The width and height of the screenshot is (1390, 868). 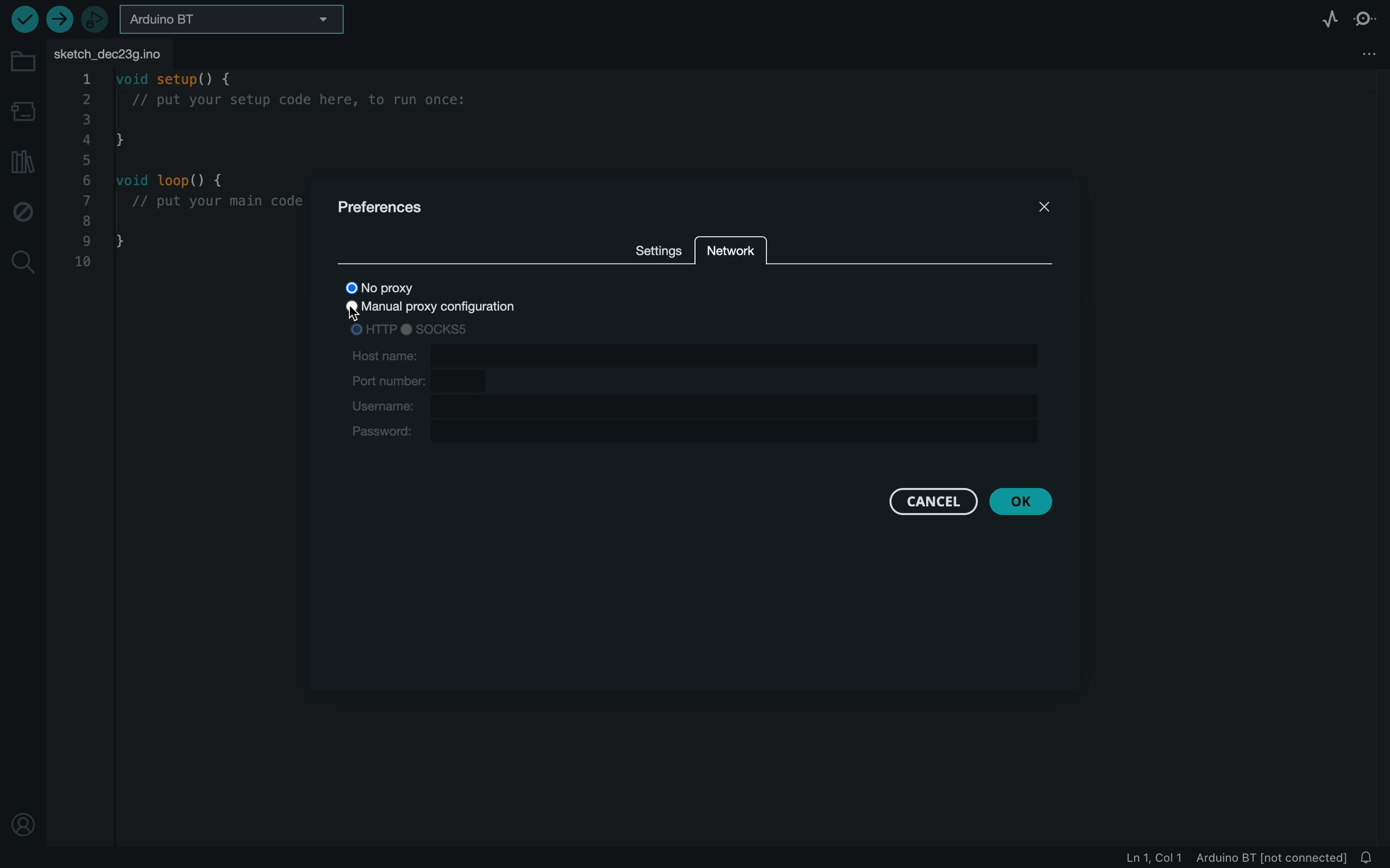 I want to click on file setting, so click(x=1349, y=51).